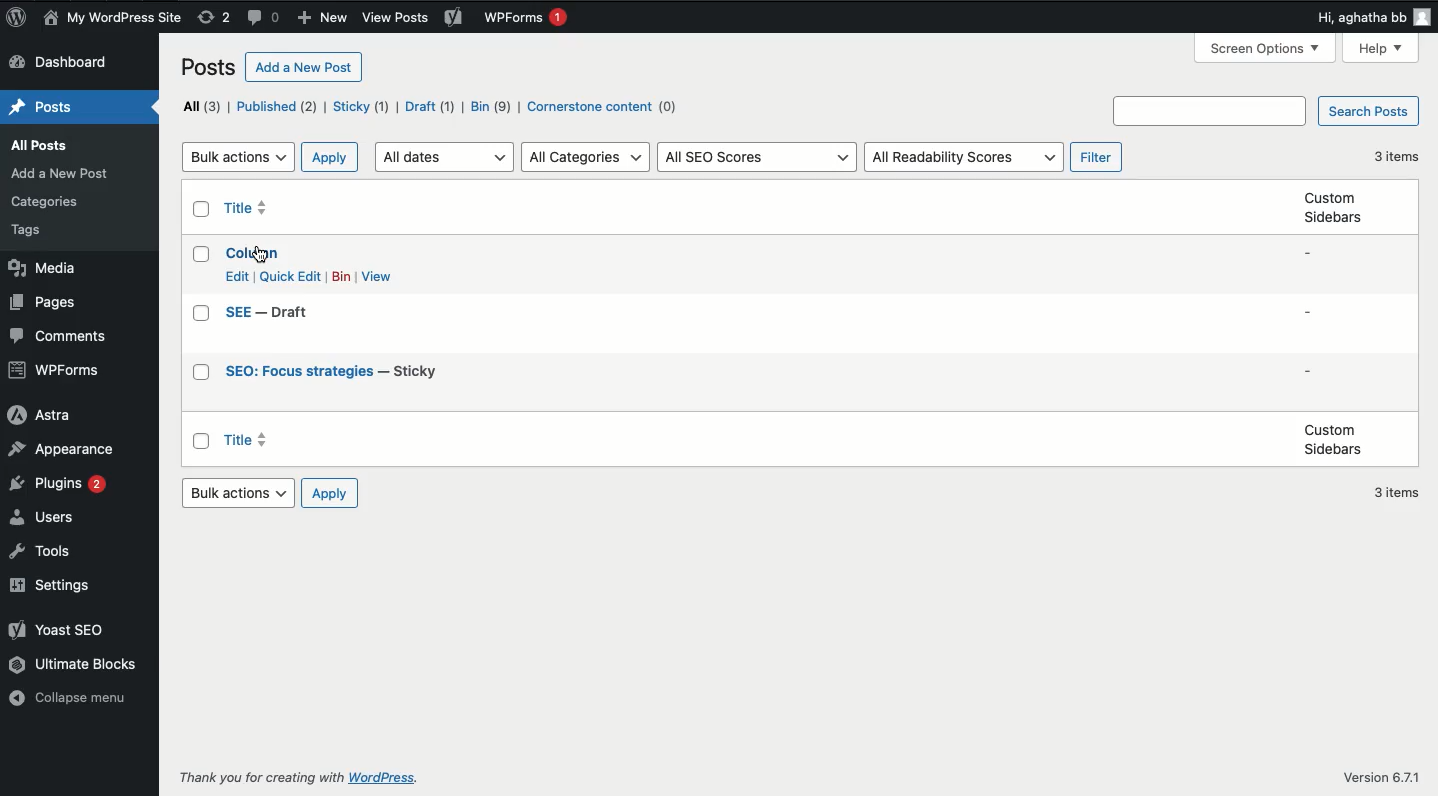  Describe the element at coordinates (493, 106) in the screenshot. I see `Bin` at that location.